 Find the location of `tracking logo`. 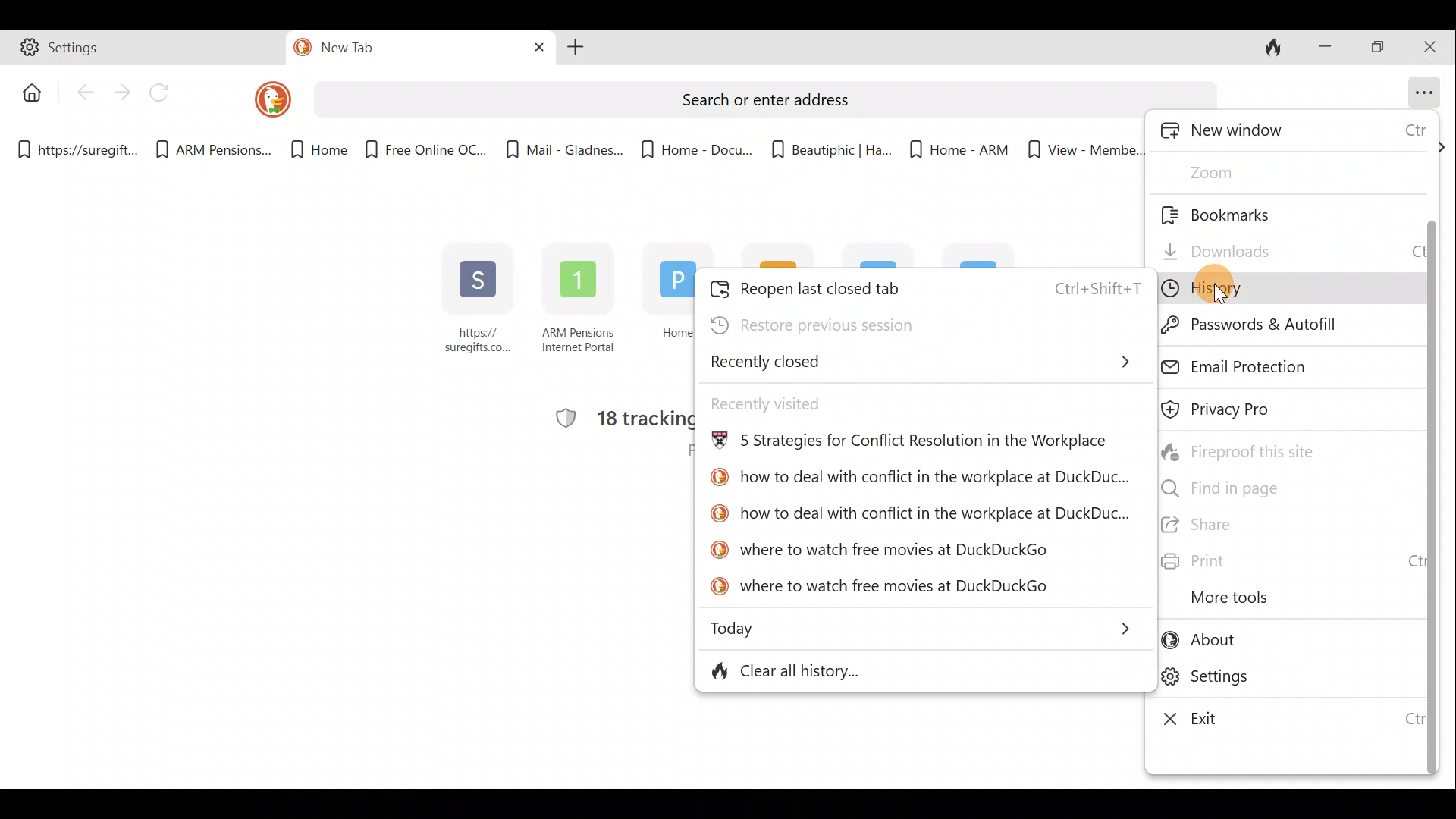

tracking logo is located at coordinates (558, 419).